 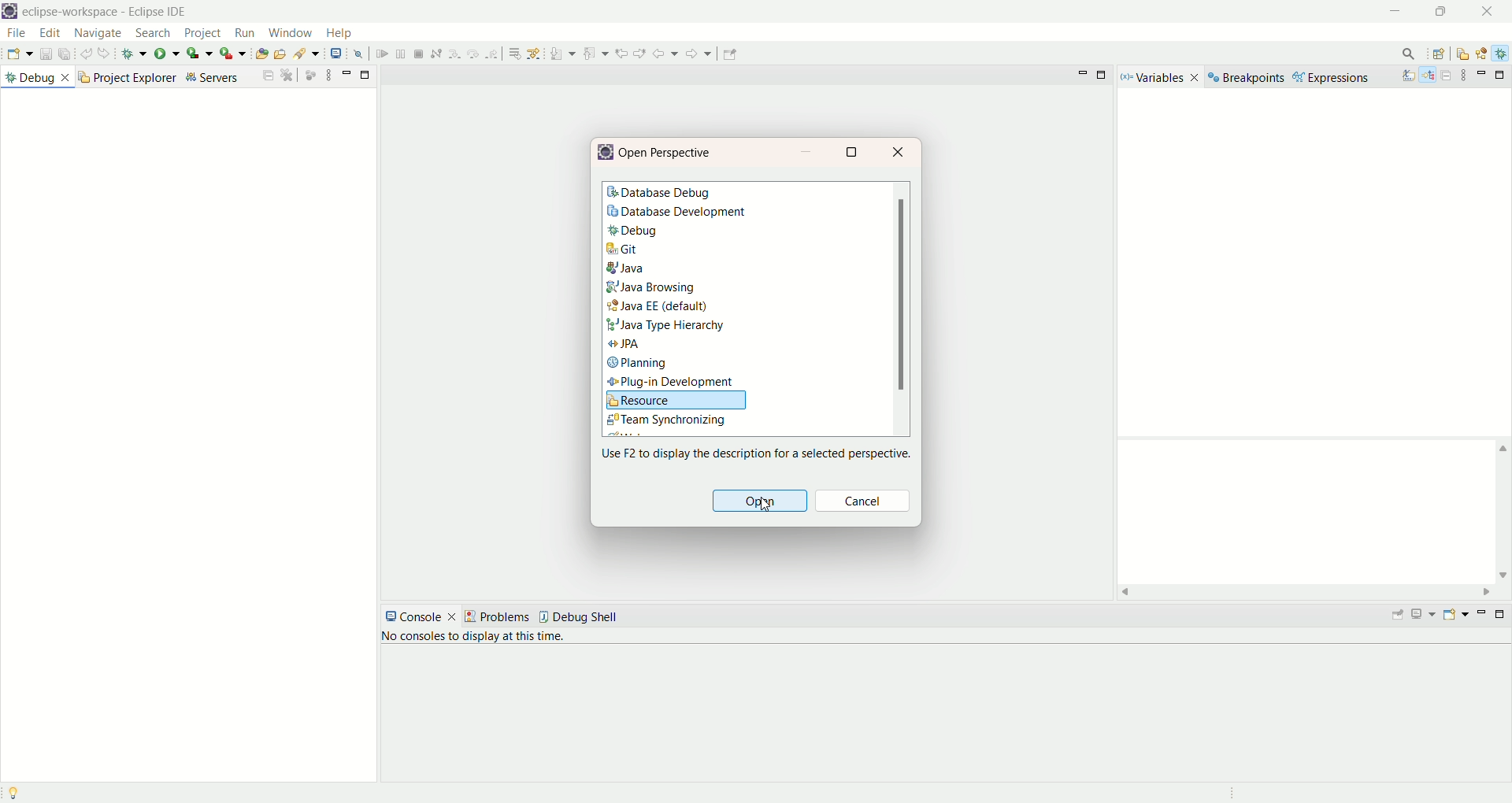 I want to click on debug, so click(x=678, y=232).